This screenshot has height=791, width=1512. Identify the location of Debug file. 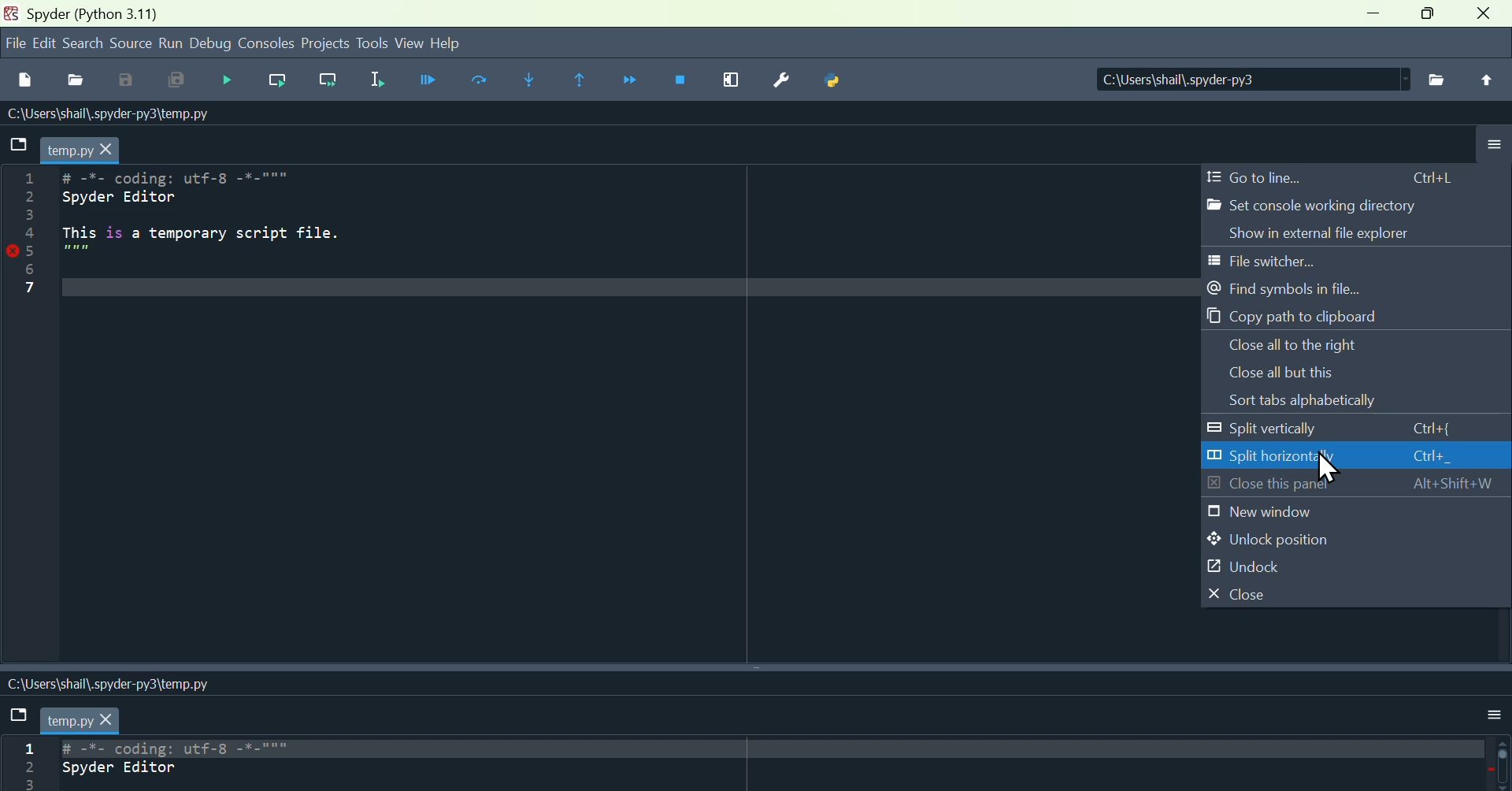
(231, 81).